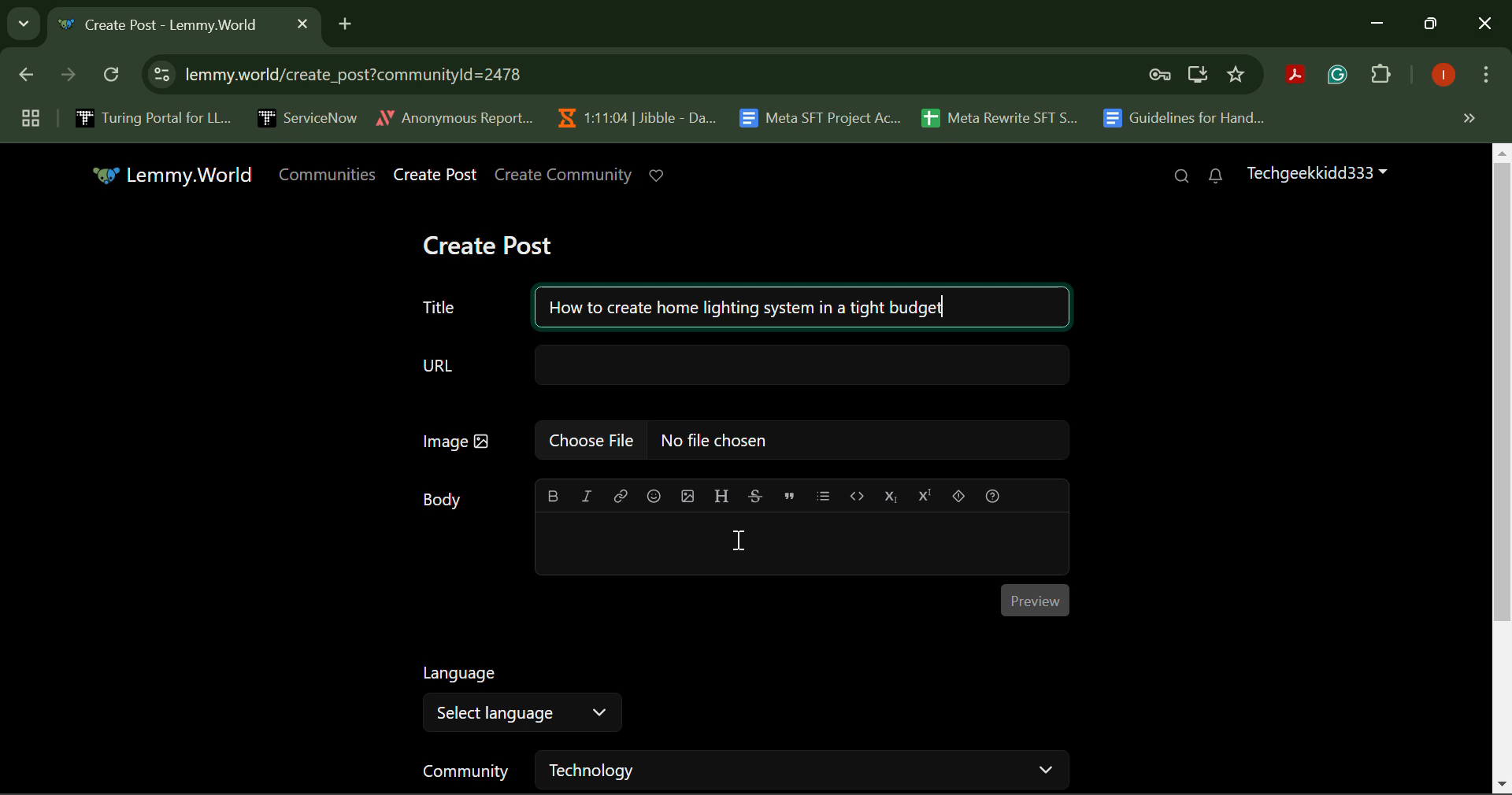 This screenshot has height=795, width=1512. I want to click on Community Selection Filter , so click(743, 770).